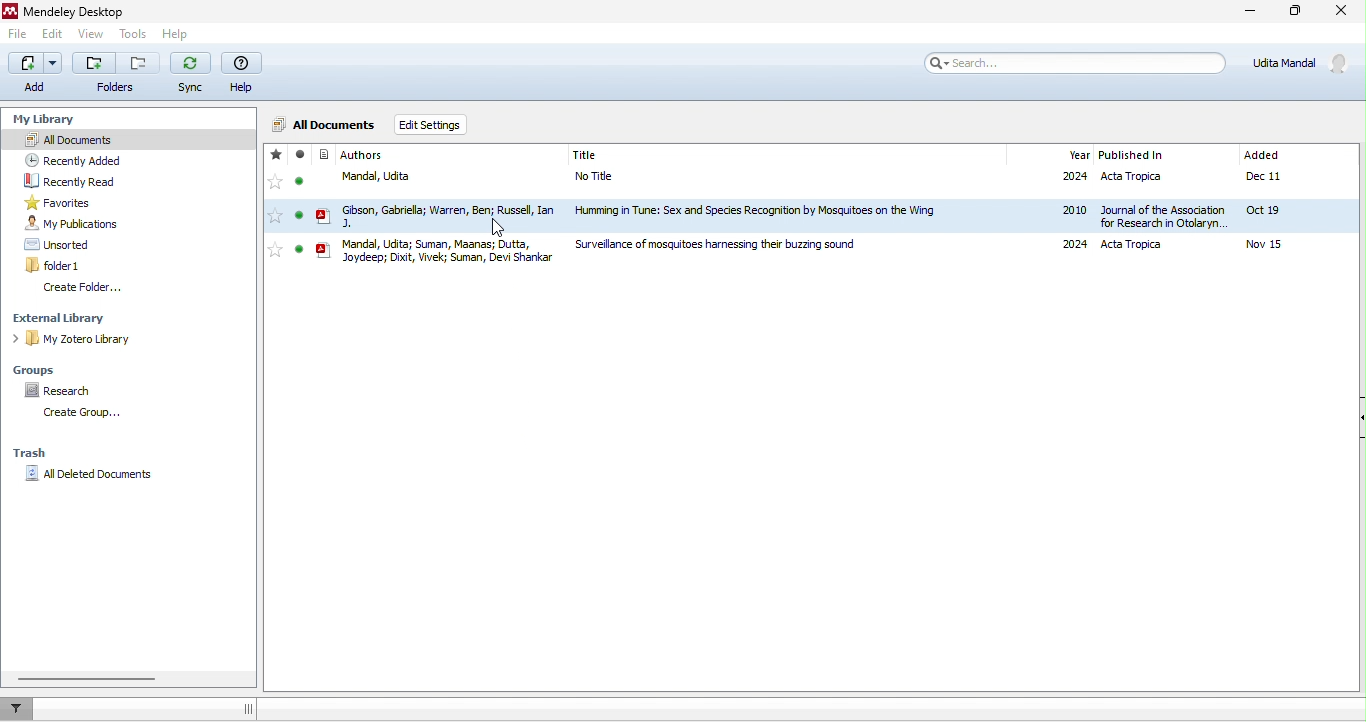 The image size is (1366, 722). What do you see at coordinates (93, 63) in the screenshot?
I see `folder` at bounding box center [93, 63].